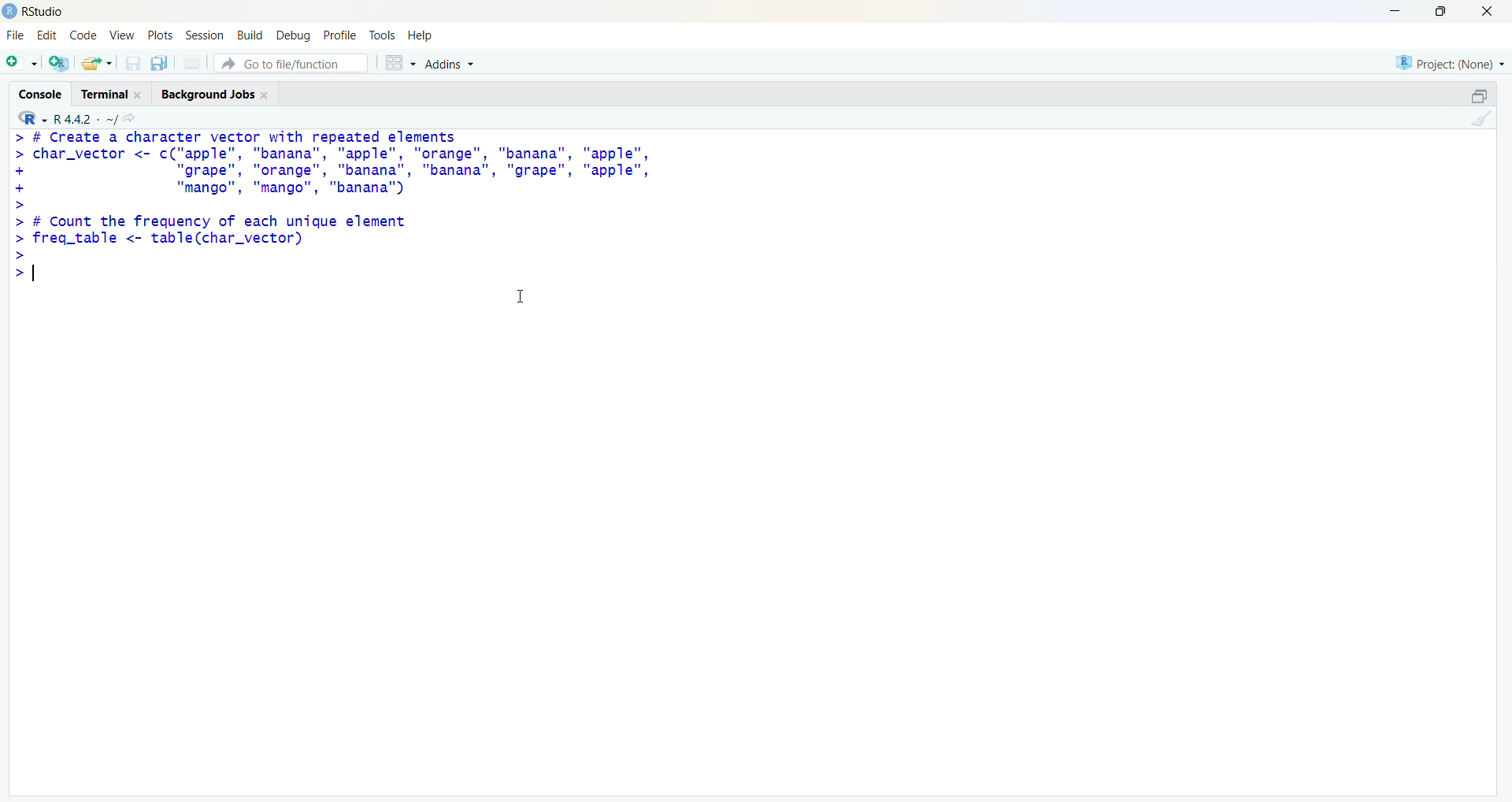 The image size is (1512, 802). I want to click on View the current working directory, so click(133, 118).